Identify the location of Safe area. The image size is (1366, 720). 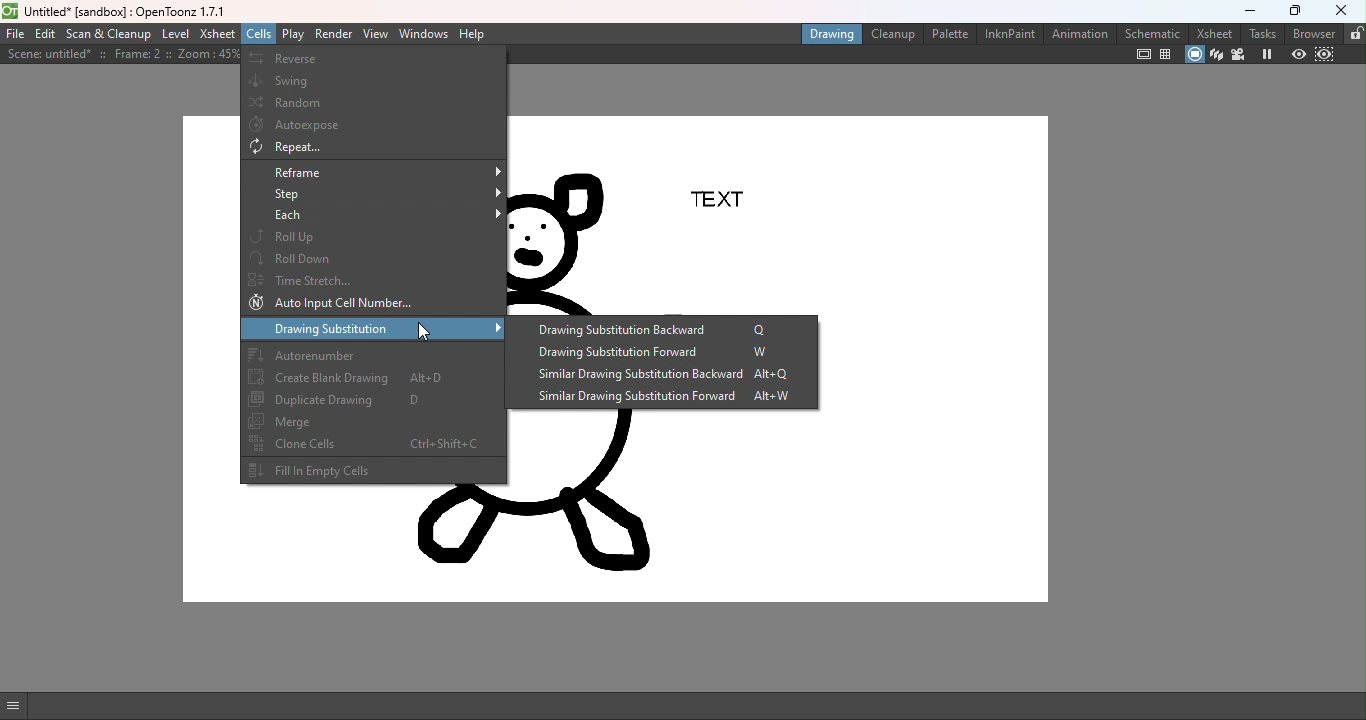
(1141, 56).